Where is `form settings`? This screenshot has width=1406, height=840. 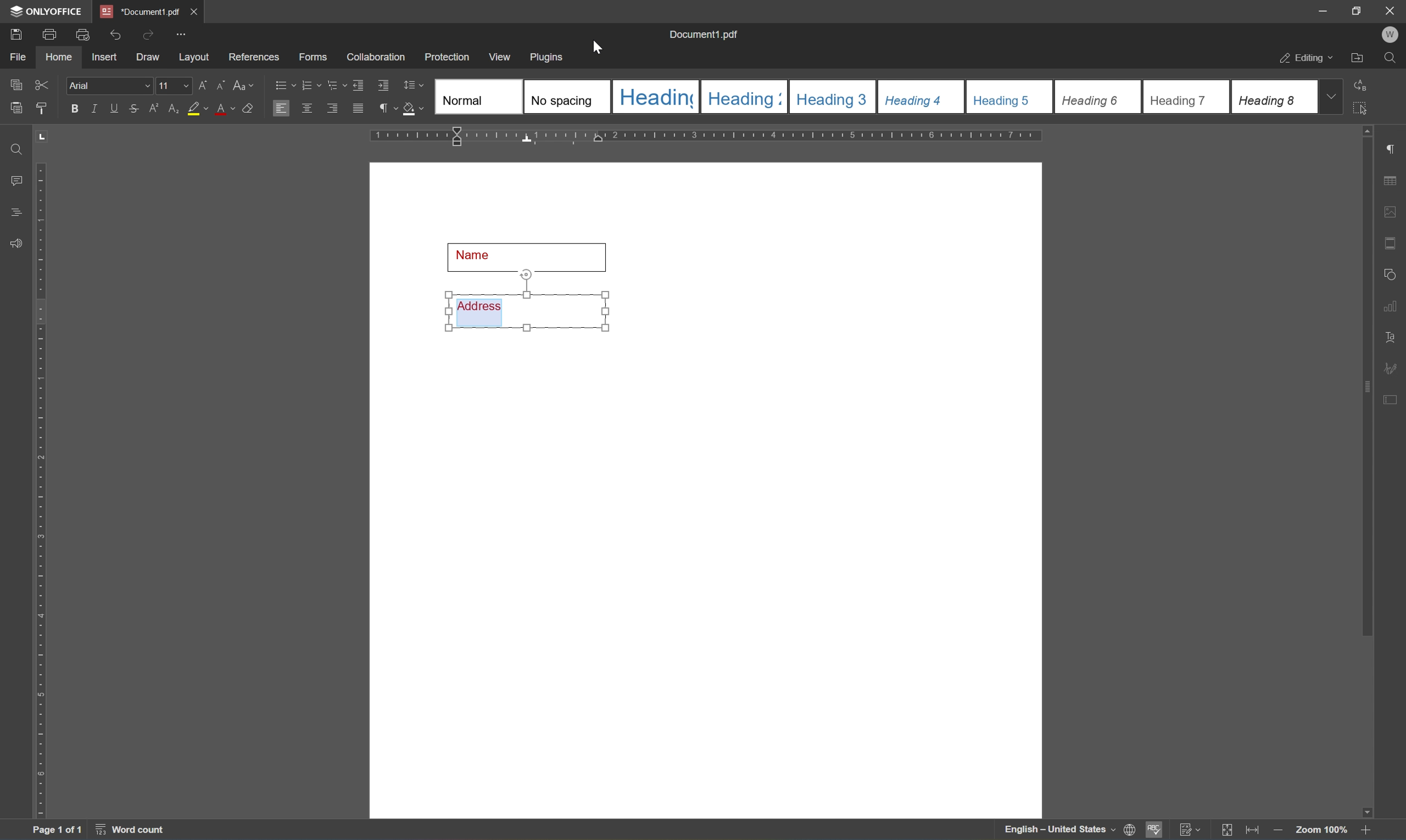
form settings is located at coordinates (1393, 399).